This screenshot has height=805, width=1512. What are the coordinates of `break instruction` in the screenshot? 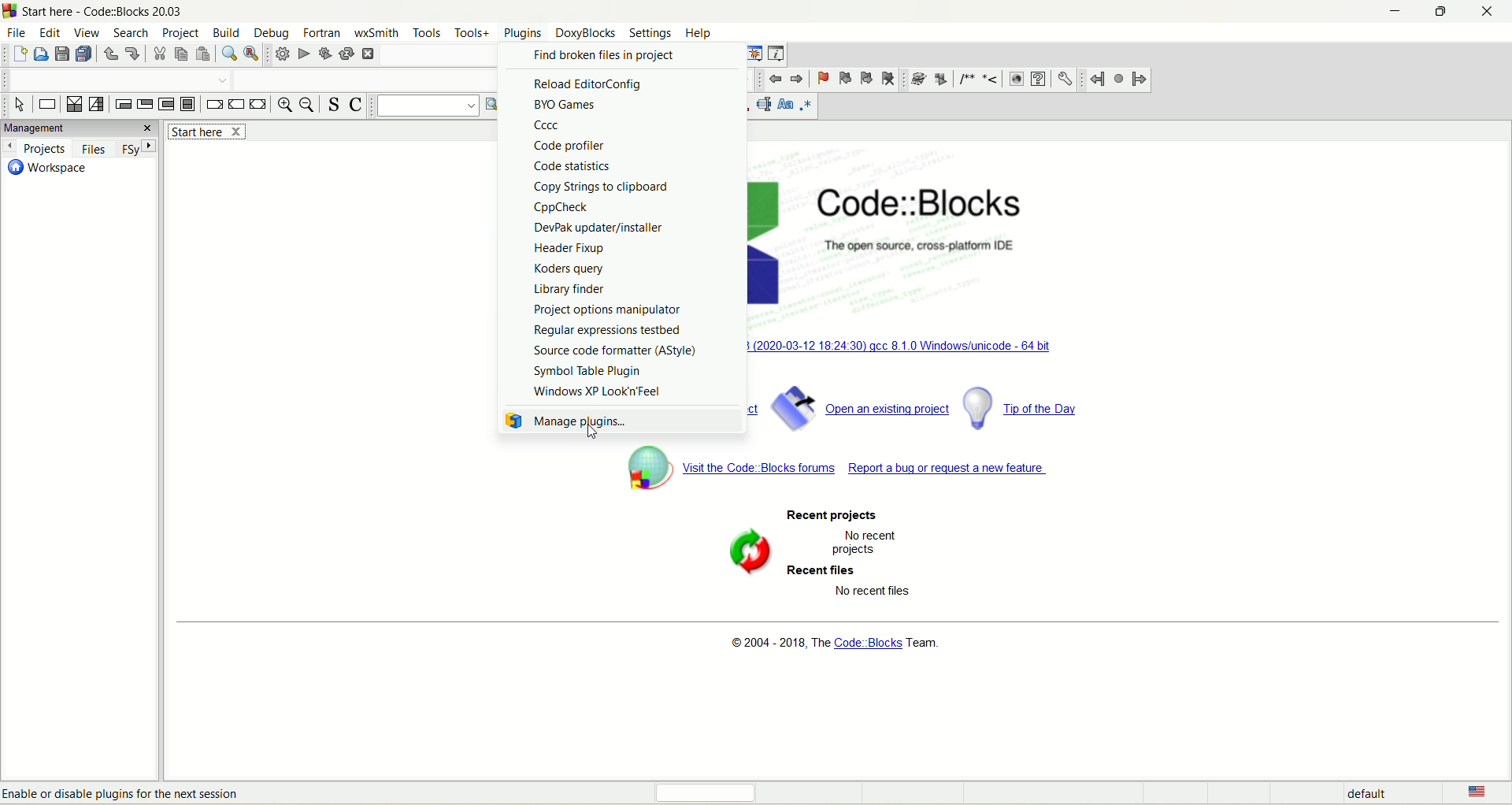 It's located at (213, 104).